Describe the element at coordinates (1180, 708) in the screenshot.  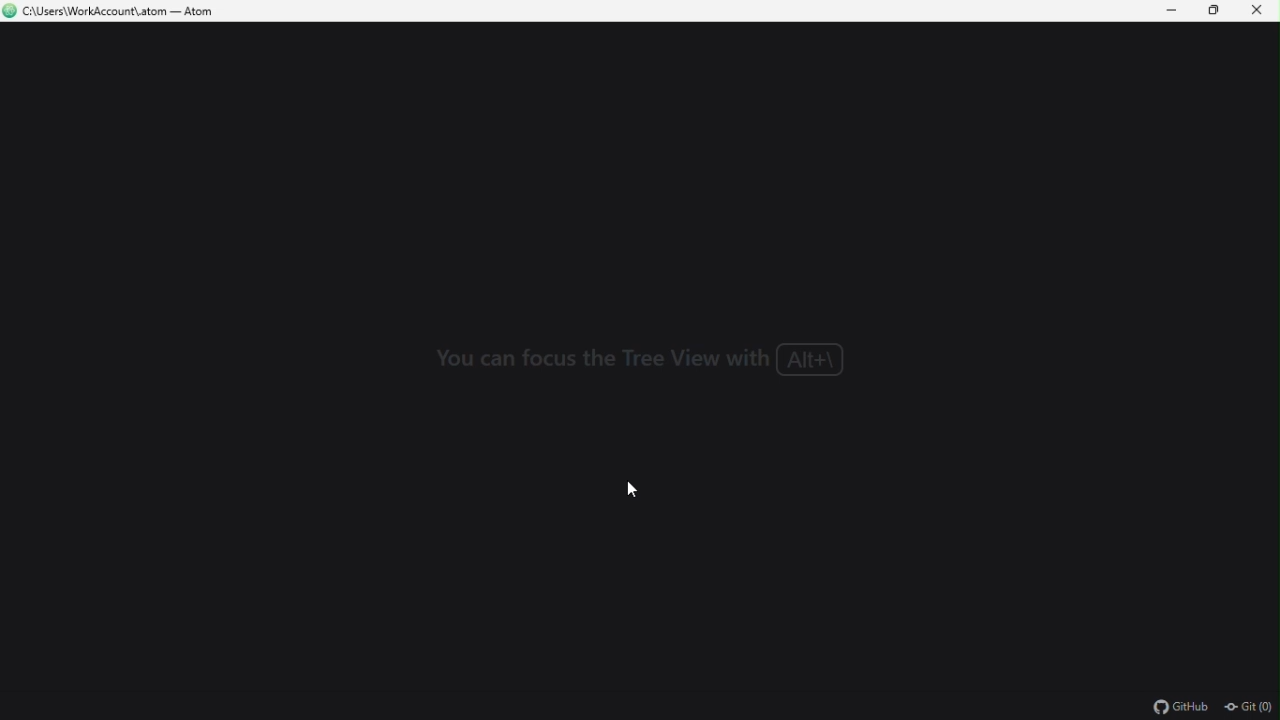
I see `GitHub` at that location.